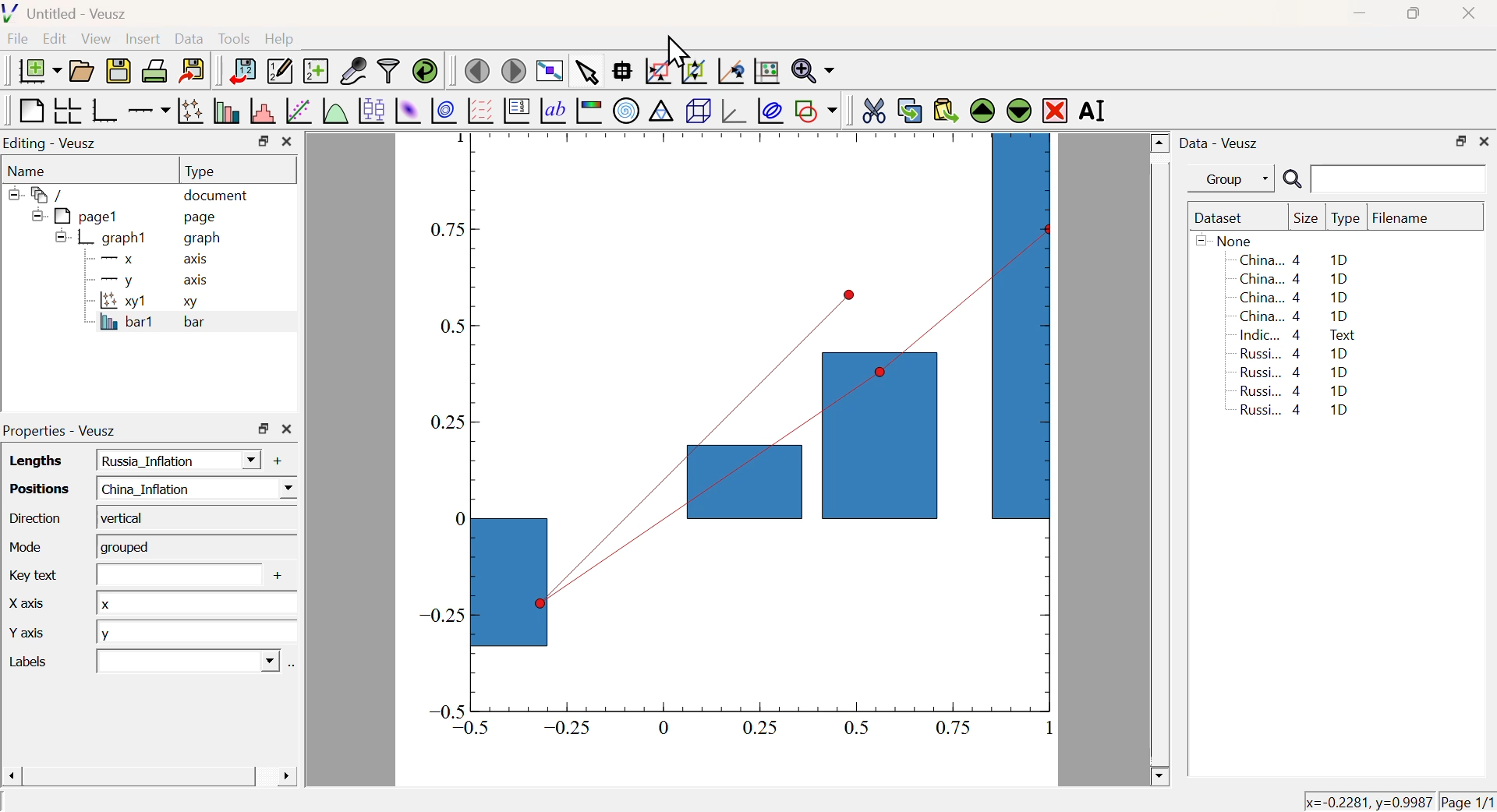 The image size is (1497, 812). What do you see at coordinates (1396, 801) in the screenshot?
I see `No position` at bounding box center [1396, 801].